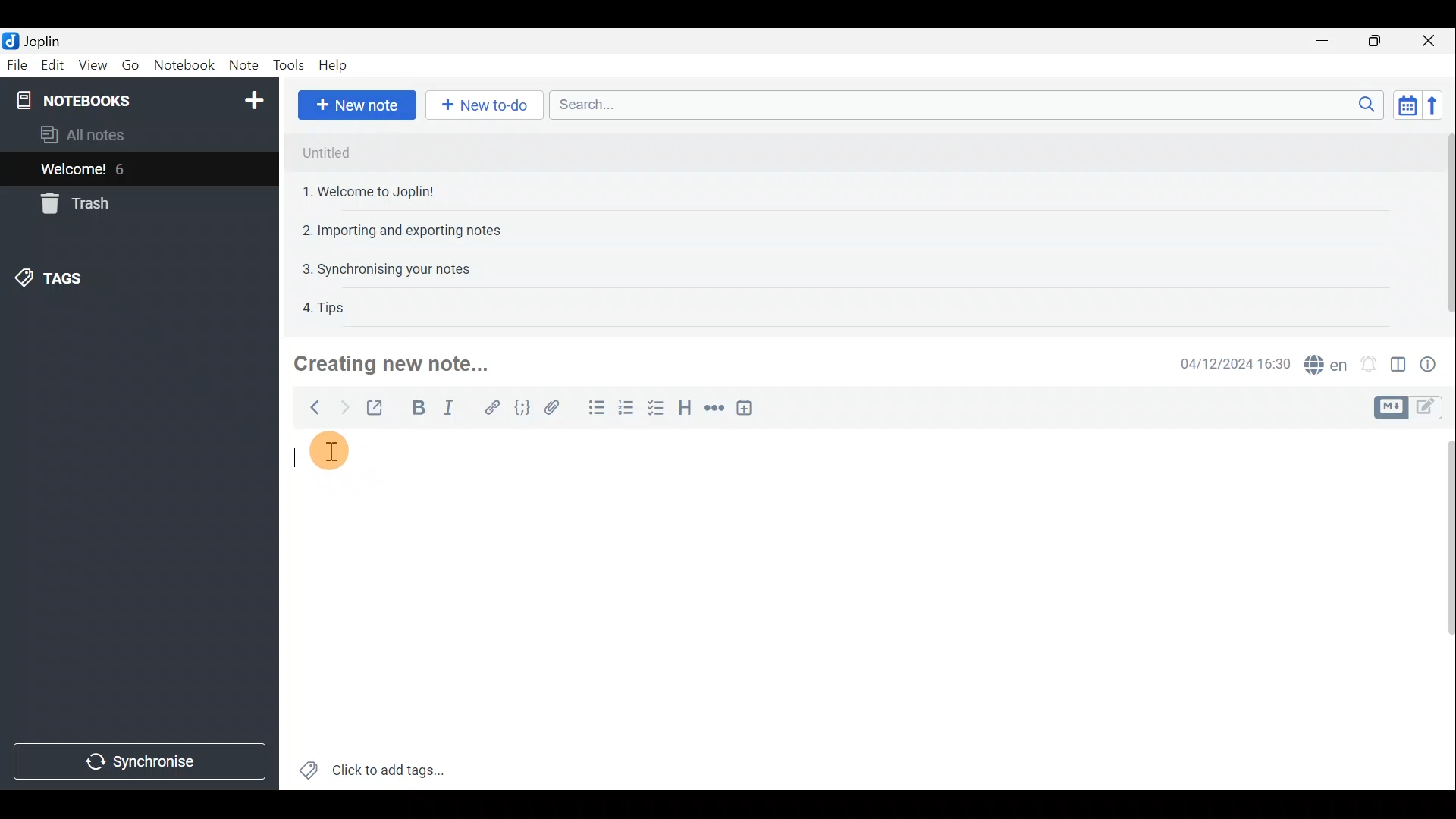  Describe the element at coordinates (184, 63) in the screenshot. I see `Notebook` at that location.